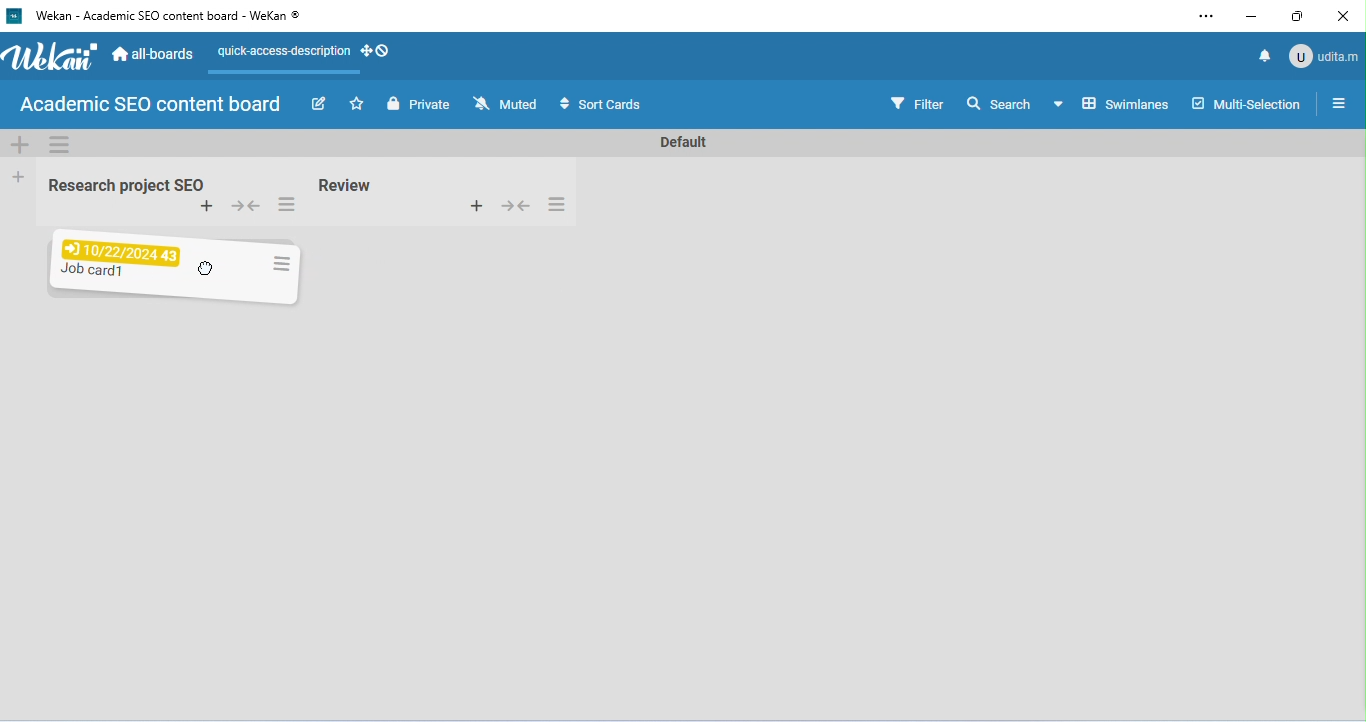  I want to click on notification, so click(1262, 55).